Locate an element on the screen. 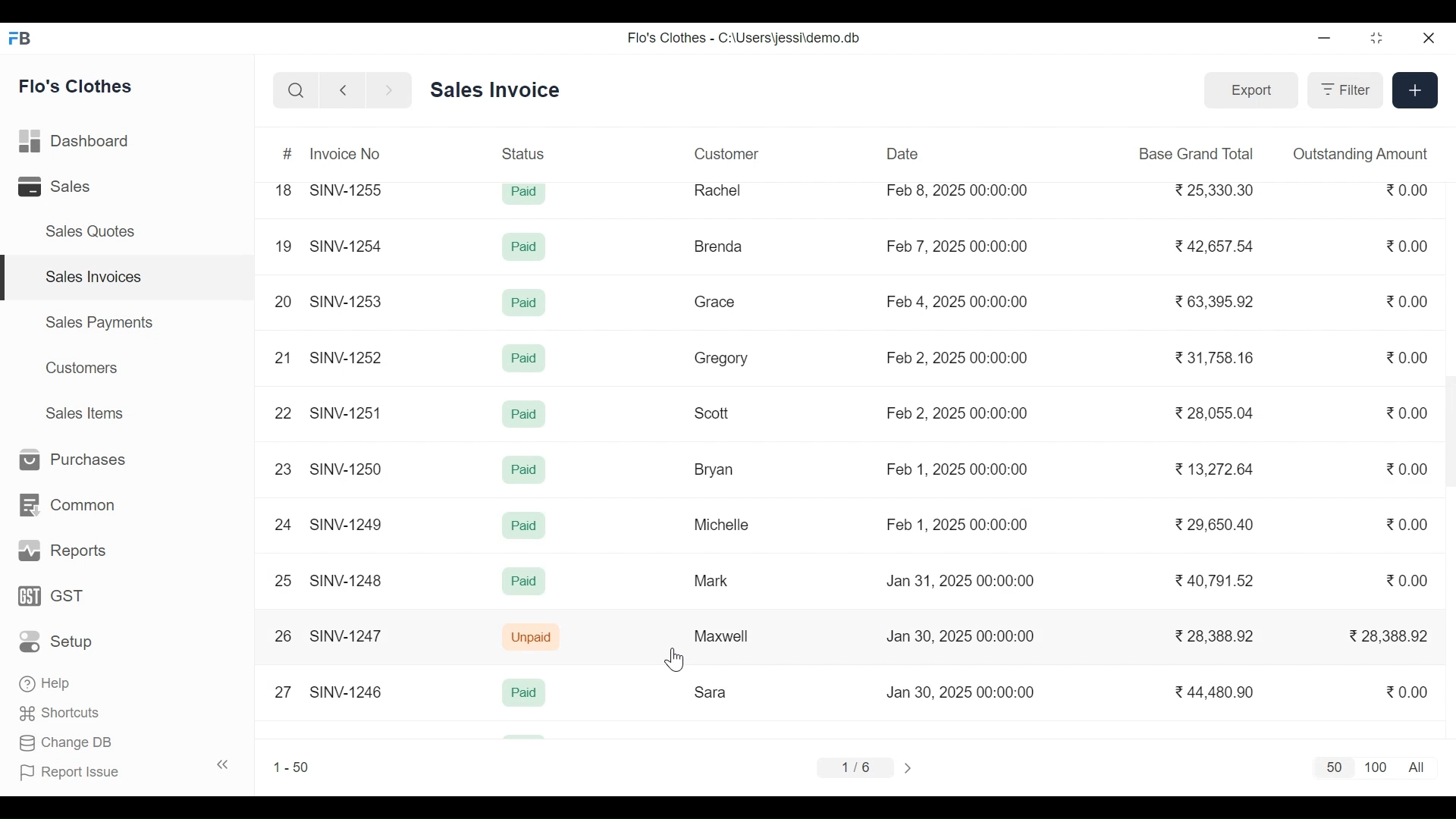  27 is located at coordinates (283, 690).